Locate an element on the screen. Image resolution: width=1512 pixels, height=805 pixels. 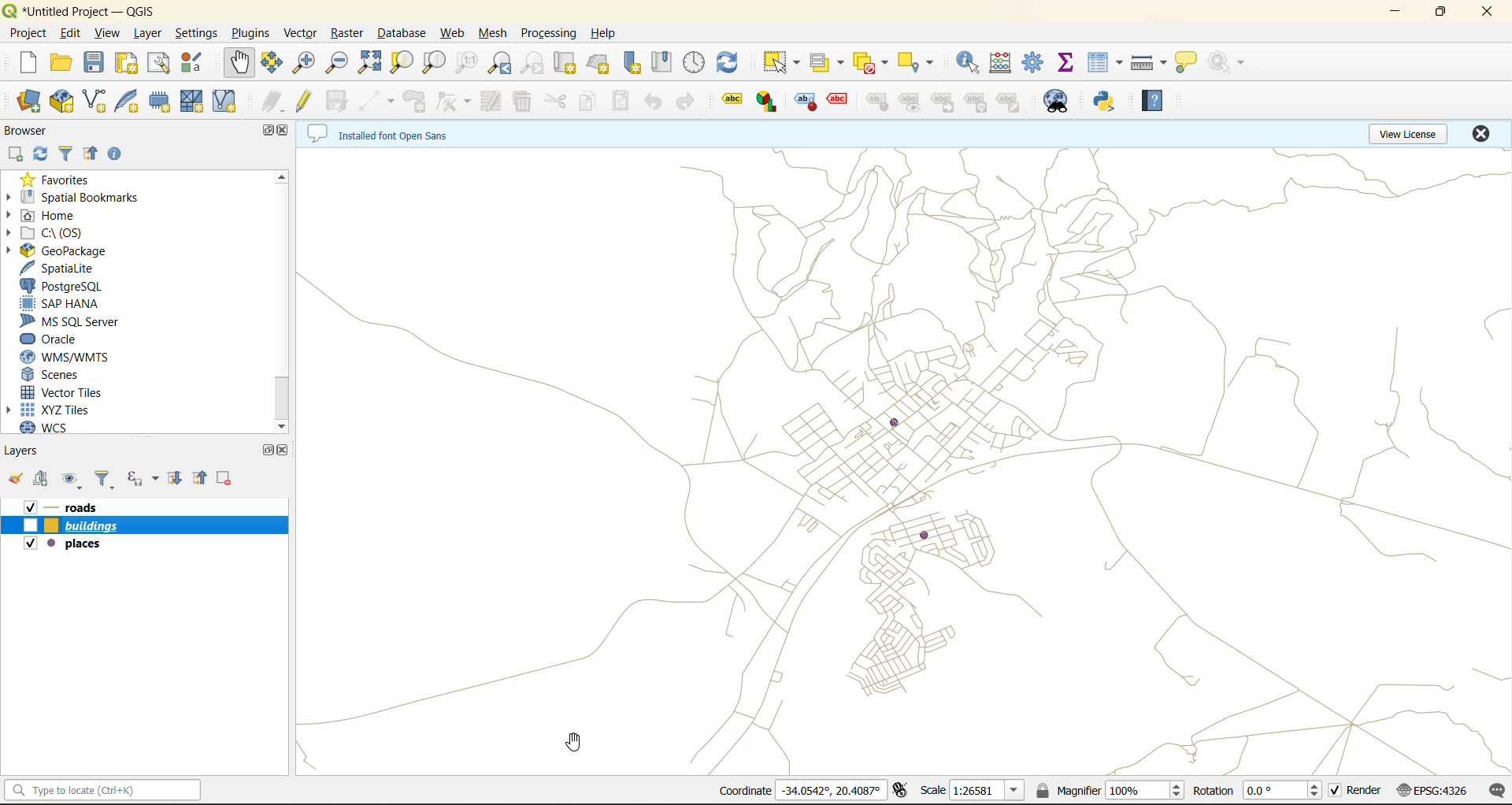
digitize is located at coordinates (375, 101).